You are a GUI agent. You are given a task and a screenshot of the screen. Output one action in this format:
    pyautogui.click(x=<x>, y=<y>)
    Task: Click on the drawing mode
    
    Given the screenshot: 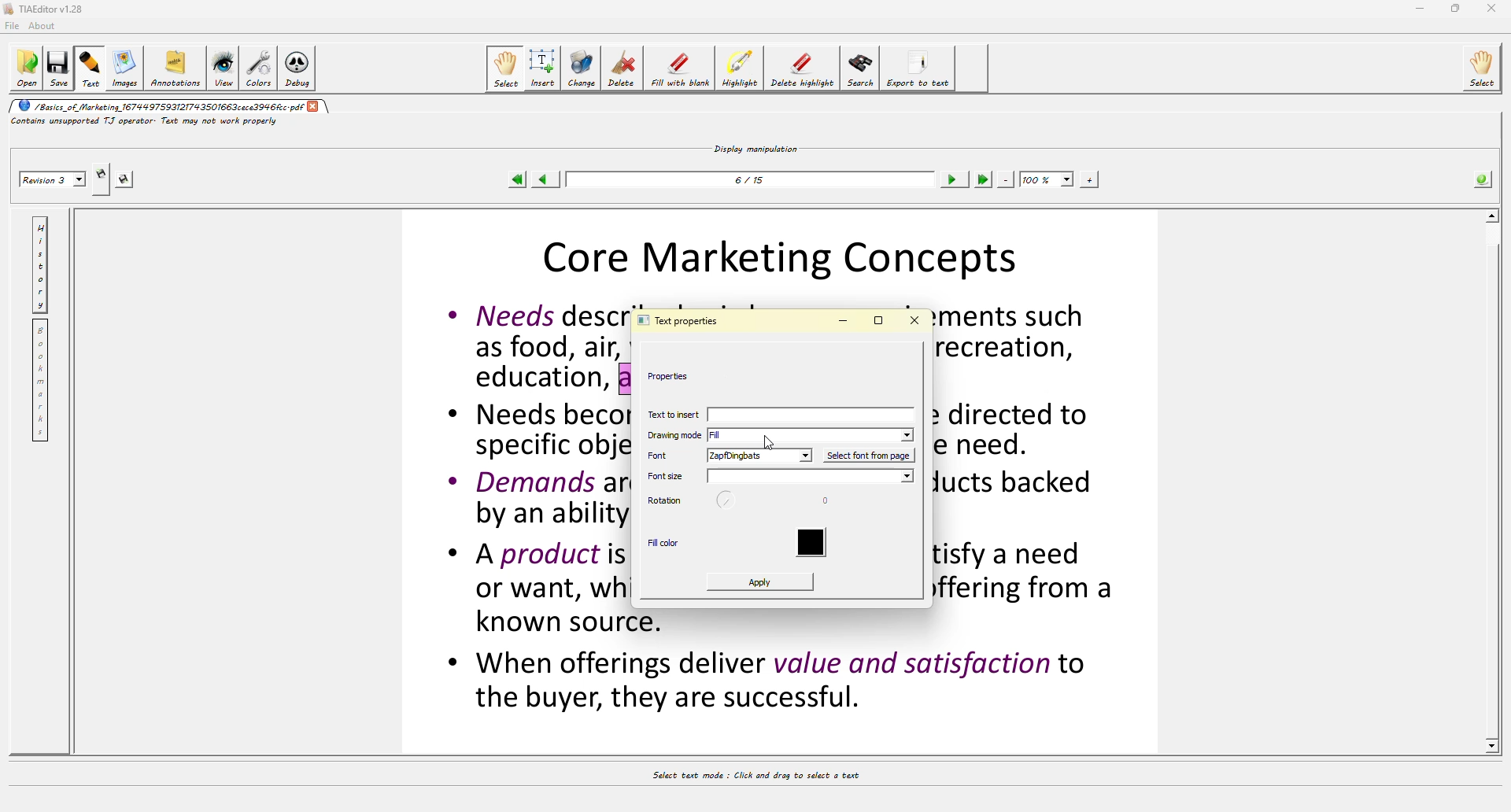 What is the action you would take?
    pyautogui.click(x=672, y=437)
    